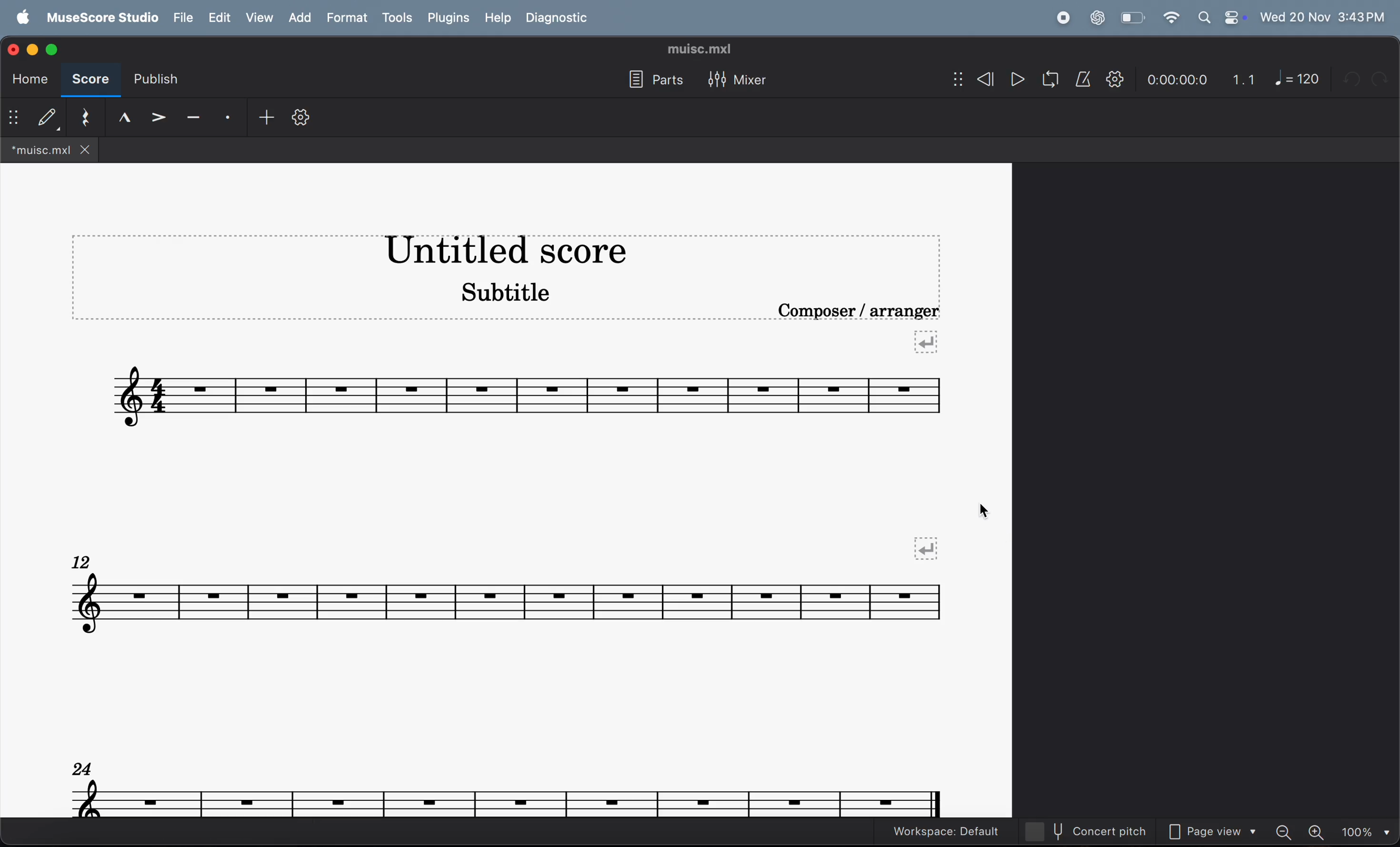 The height and width of the screenshot is (847, 1400). What do you see at coordinates (31, 49) in the screenshot?
I see `minimize` at bounding box center [31, 49].